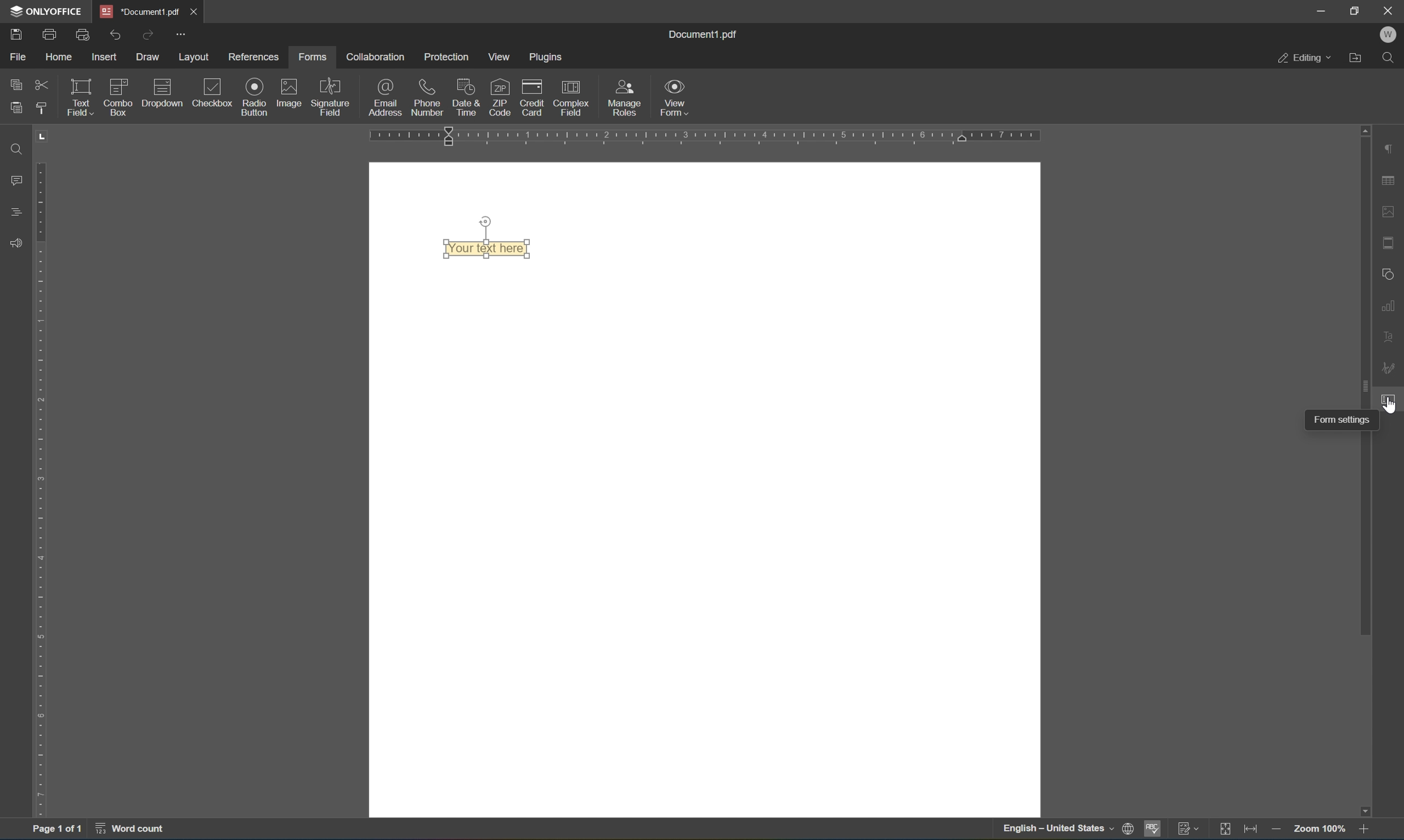  Describe the element at coordinates (134, 830) in the screenshot. I see `word count` at that location.